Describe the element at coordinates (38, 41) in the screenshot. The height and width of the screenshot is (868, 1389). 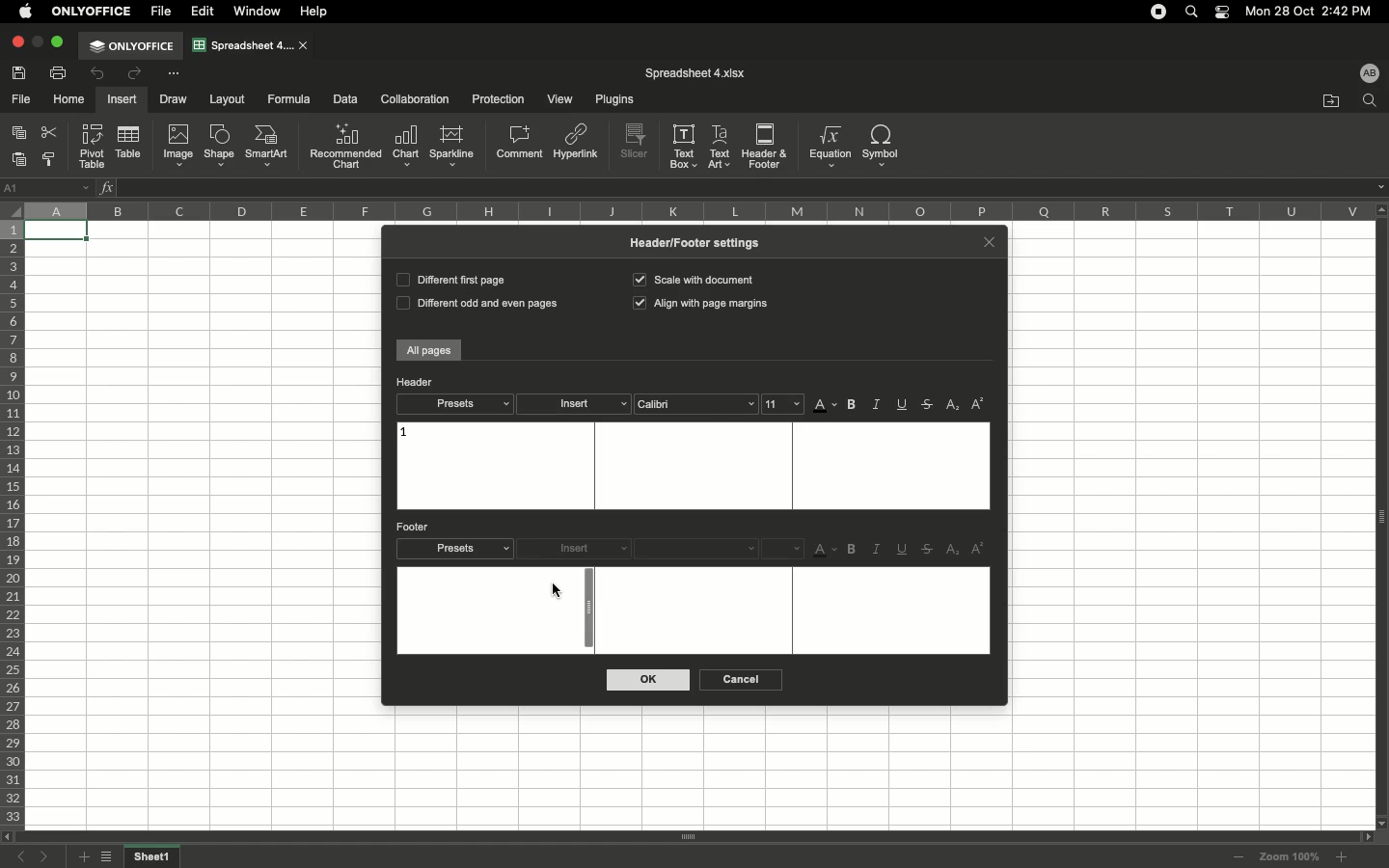
I see `minimize` at that location.